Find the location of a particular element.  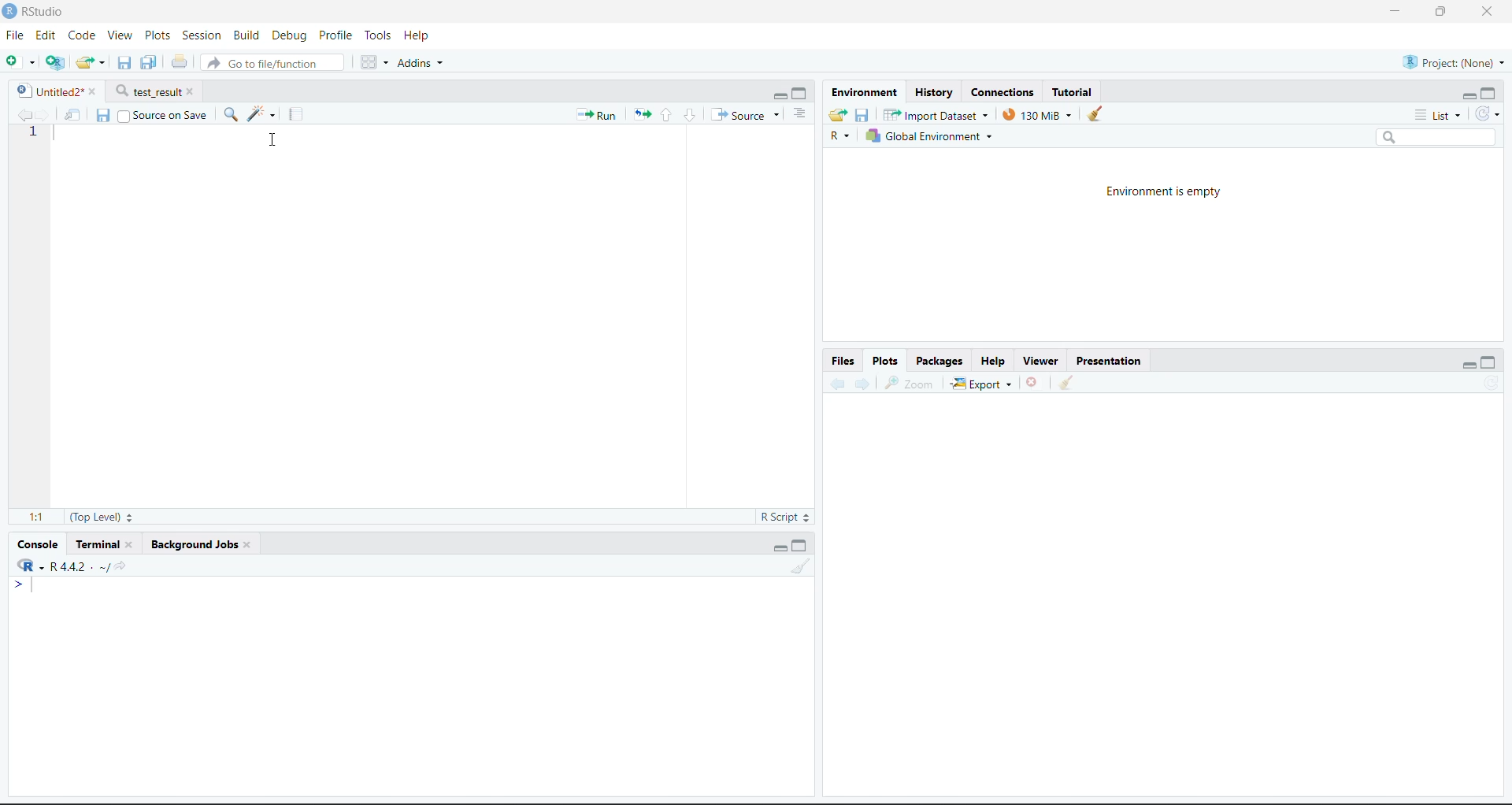

Build is located at coordinates (246, 34).